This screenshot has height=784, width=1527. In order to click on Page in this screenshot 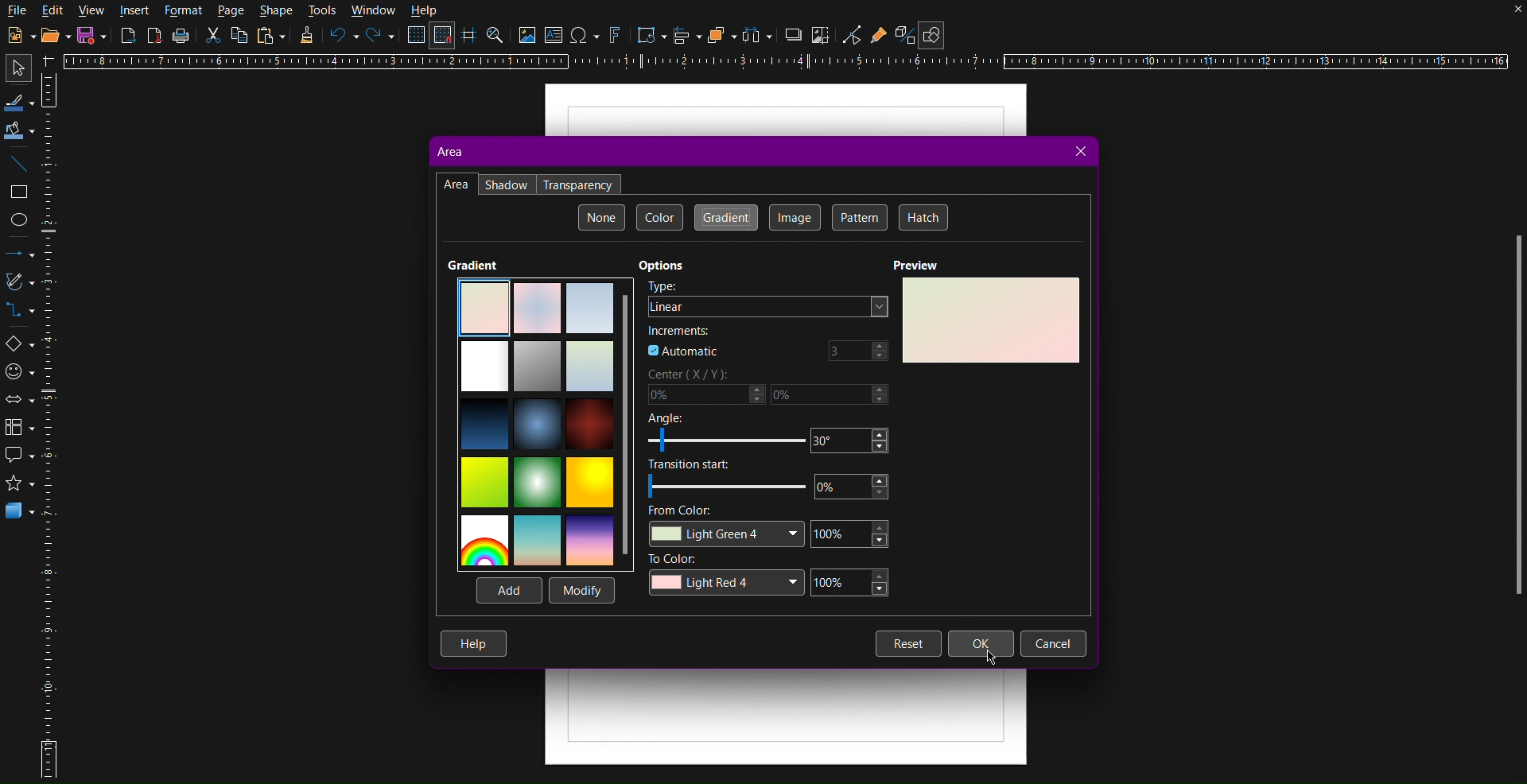, I will do `click(232, 12)`.